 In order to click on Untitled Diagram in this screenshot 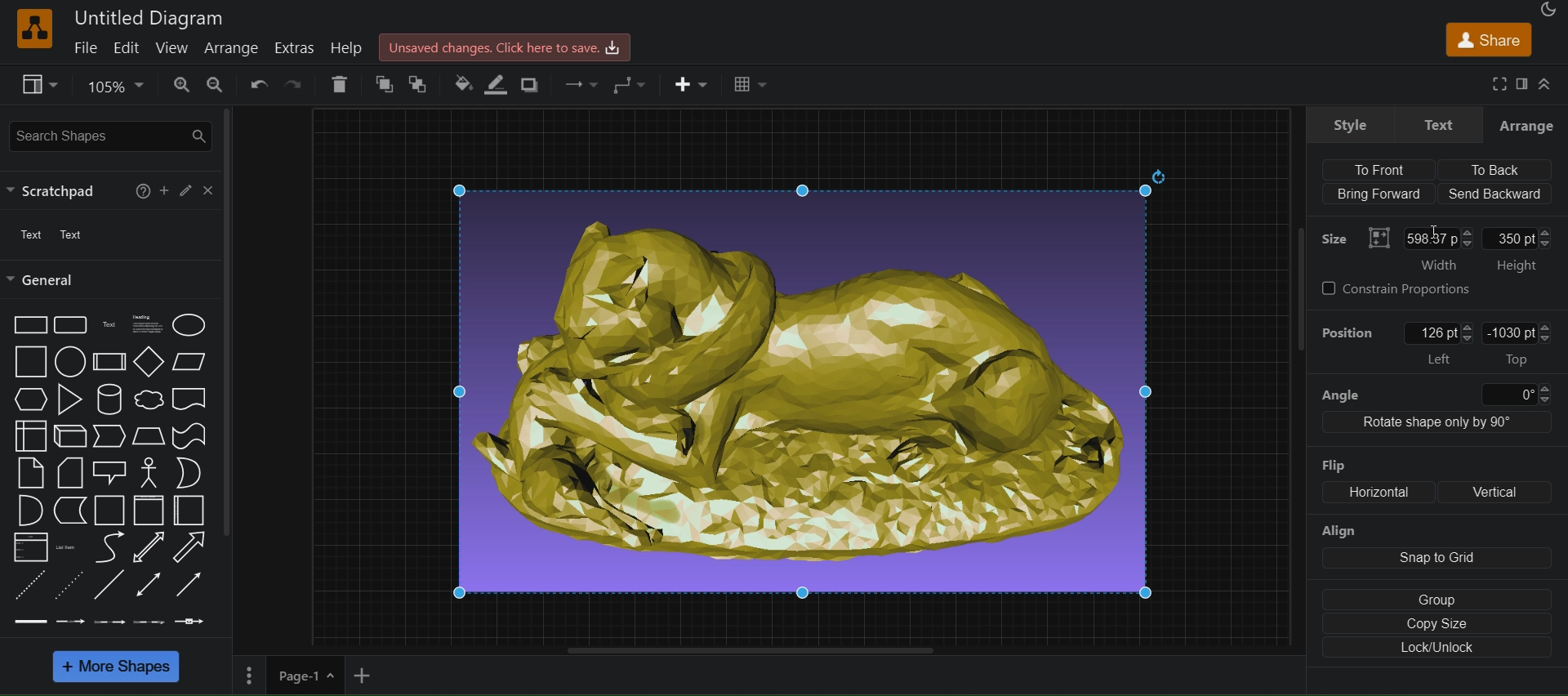, I will do `click(155, 18)`.